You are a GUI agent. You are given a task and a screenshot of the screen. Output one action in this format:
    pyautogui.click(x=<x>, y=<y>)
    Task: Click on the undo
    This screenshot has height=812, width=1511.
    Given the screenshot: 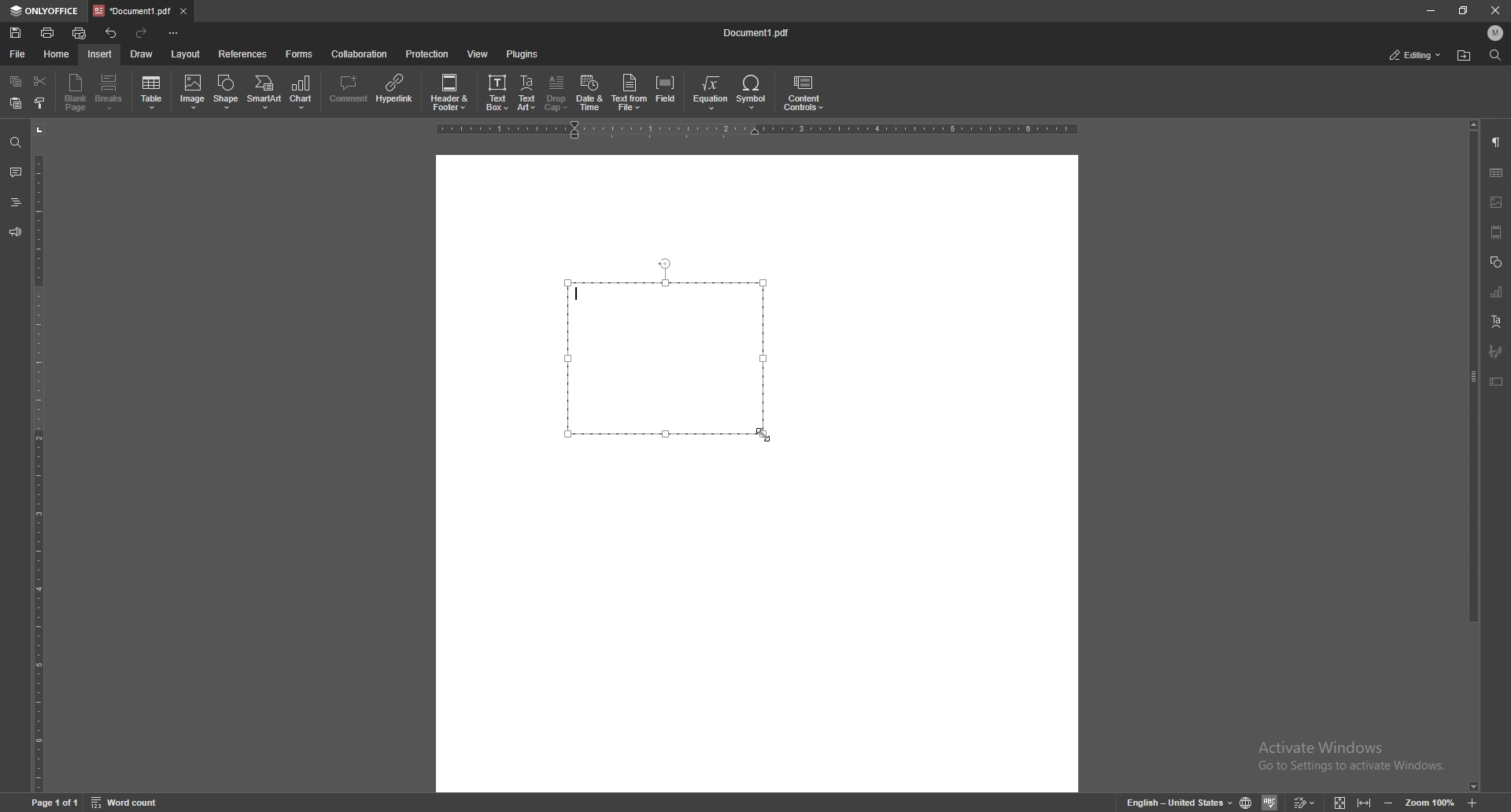 What is the action you would take?
    pyautogui.click(x=113, y=33)
    